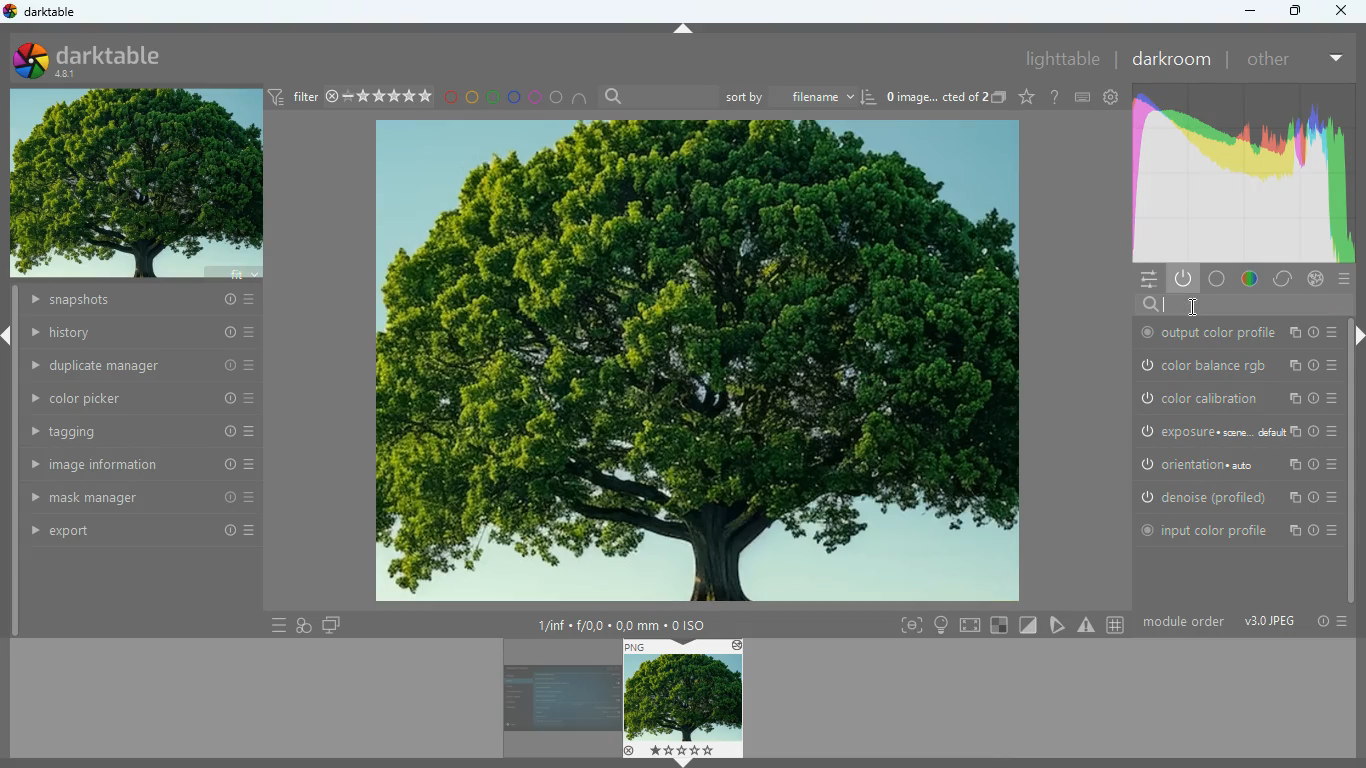 The width and height of the screenshot is (1366, 768). I want to click on lighttable, so click(1059, 58).